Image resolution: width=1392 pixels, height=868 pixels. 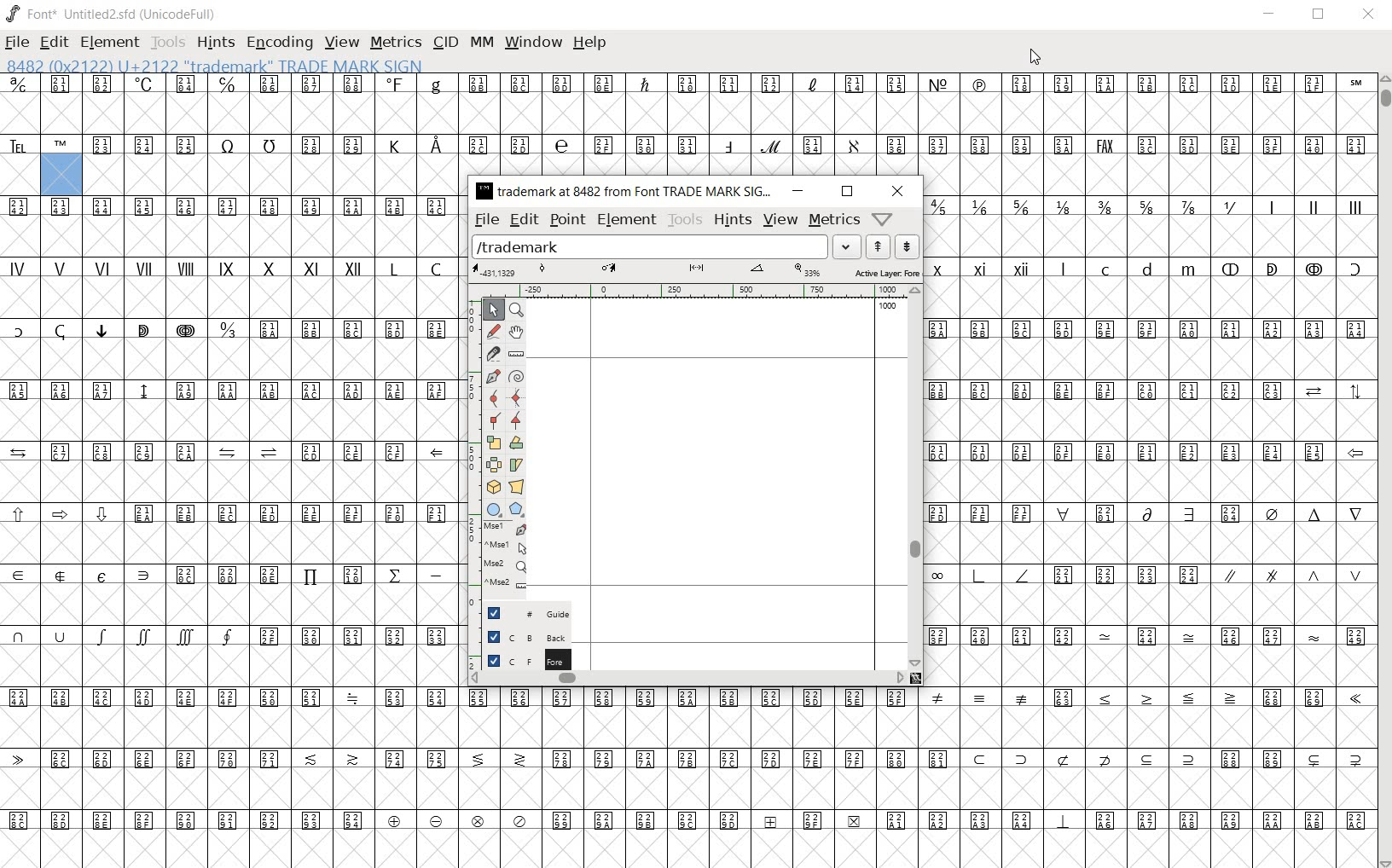 I want to click on Add a corner point, so click(x=493, y=420).